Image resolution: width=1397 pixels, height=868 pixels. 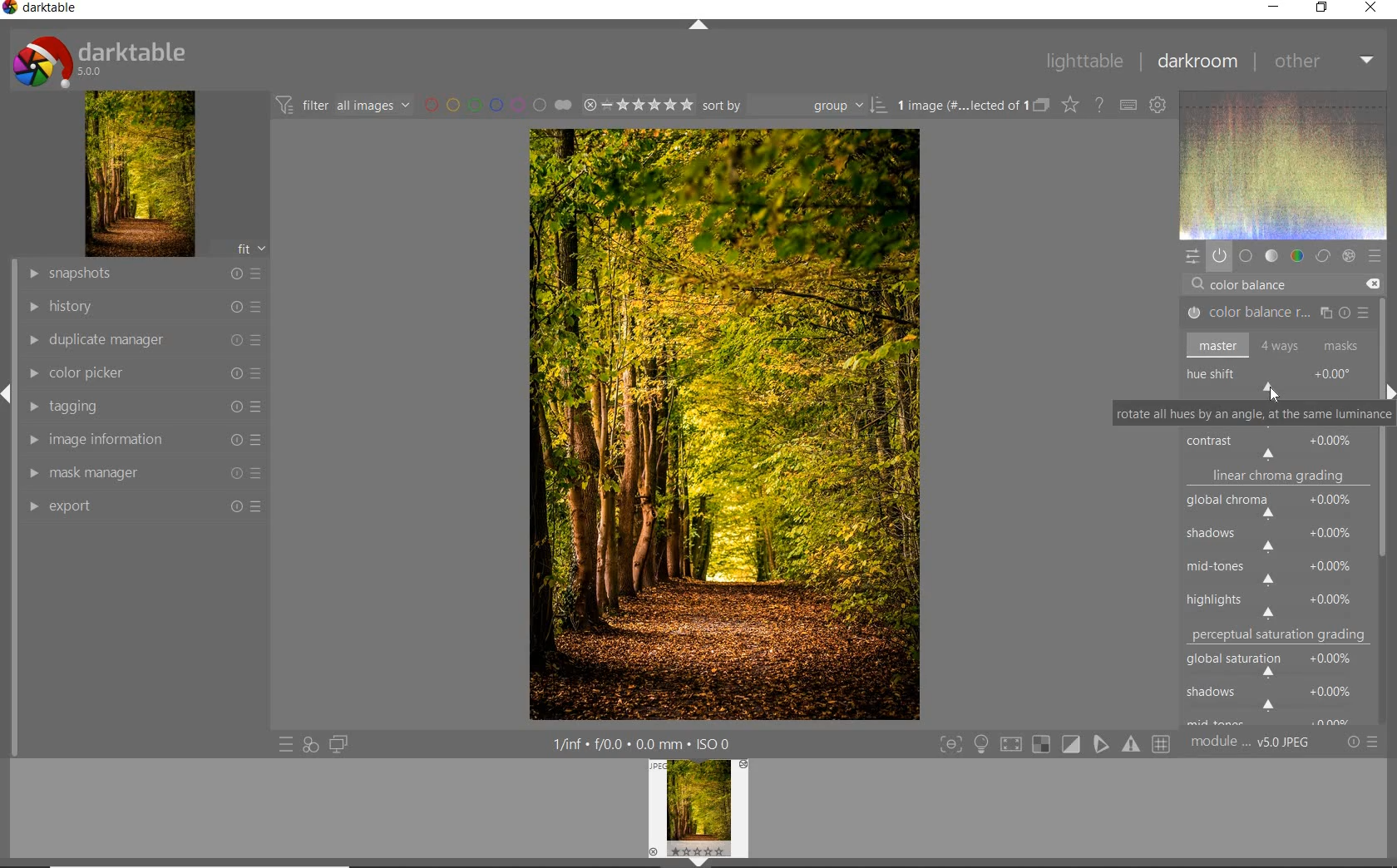 I want to click on scrollbar, so click(x=1384, y=330).